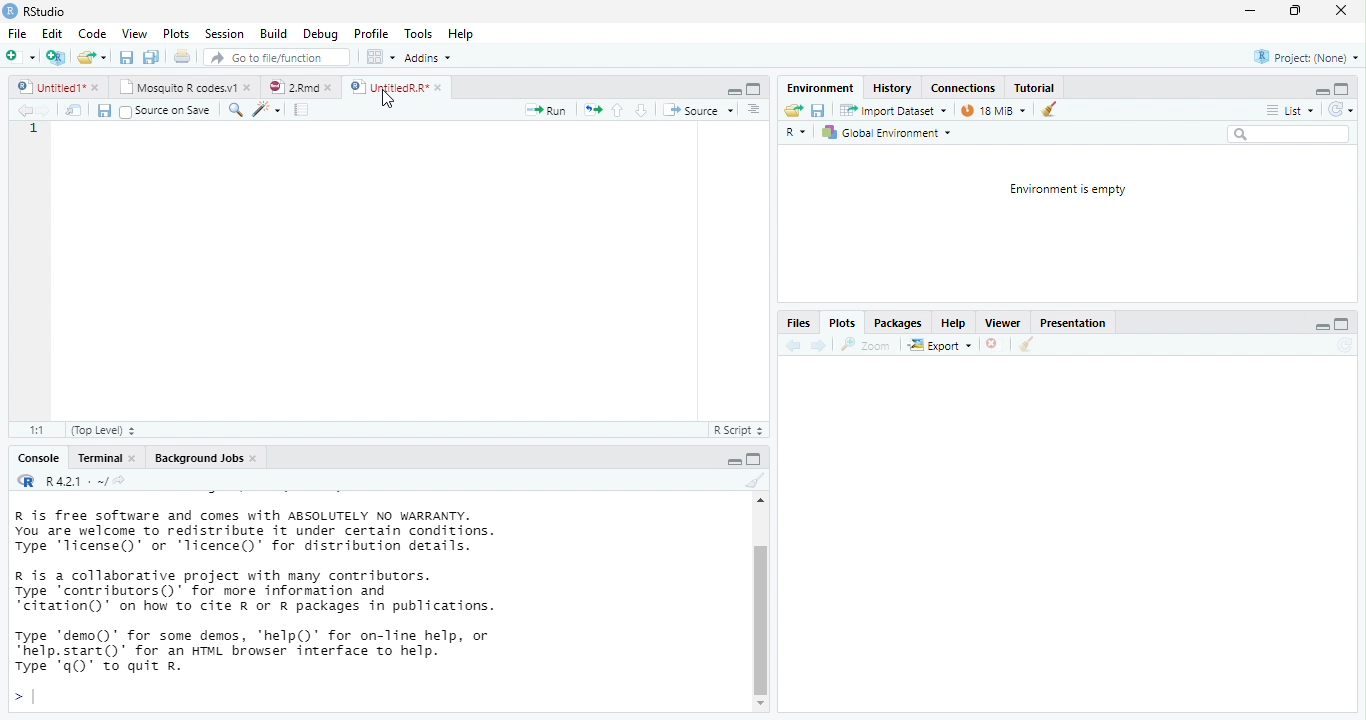 The height and width of the screenshot is (720, 1366). Describe the element at coordinates (183, 56) in the screenshot. I see `print current file` at that location.